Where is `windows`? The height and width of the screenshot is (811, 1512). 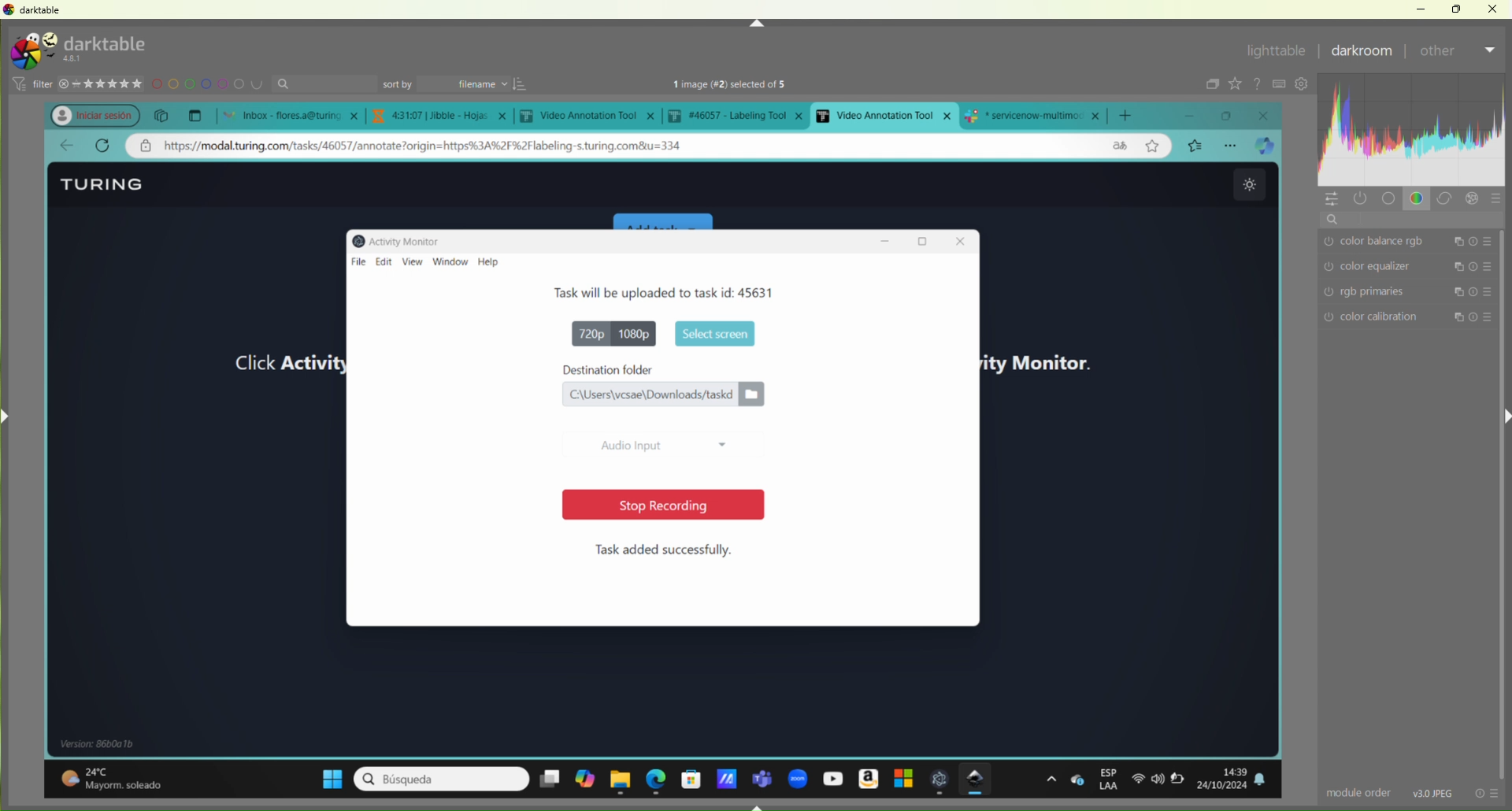
windows is located at coordinates (324, 776).